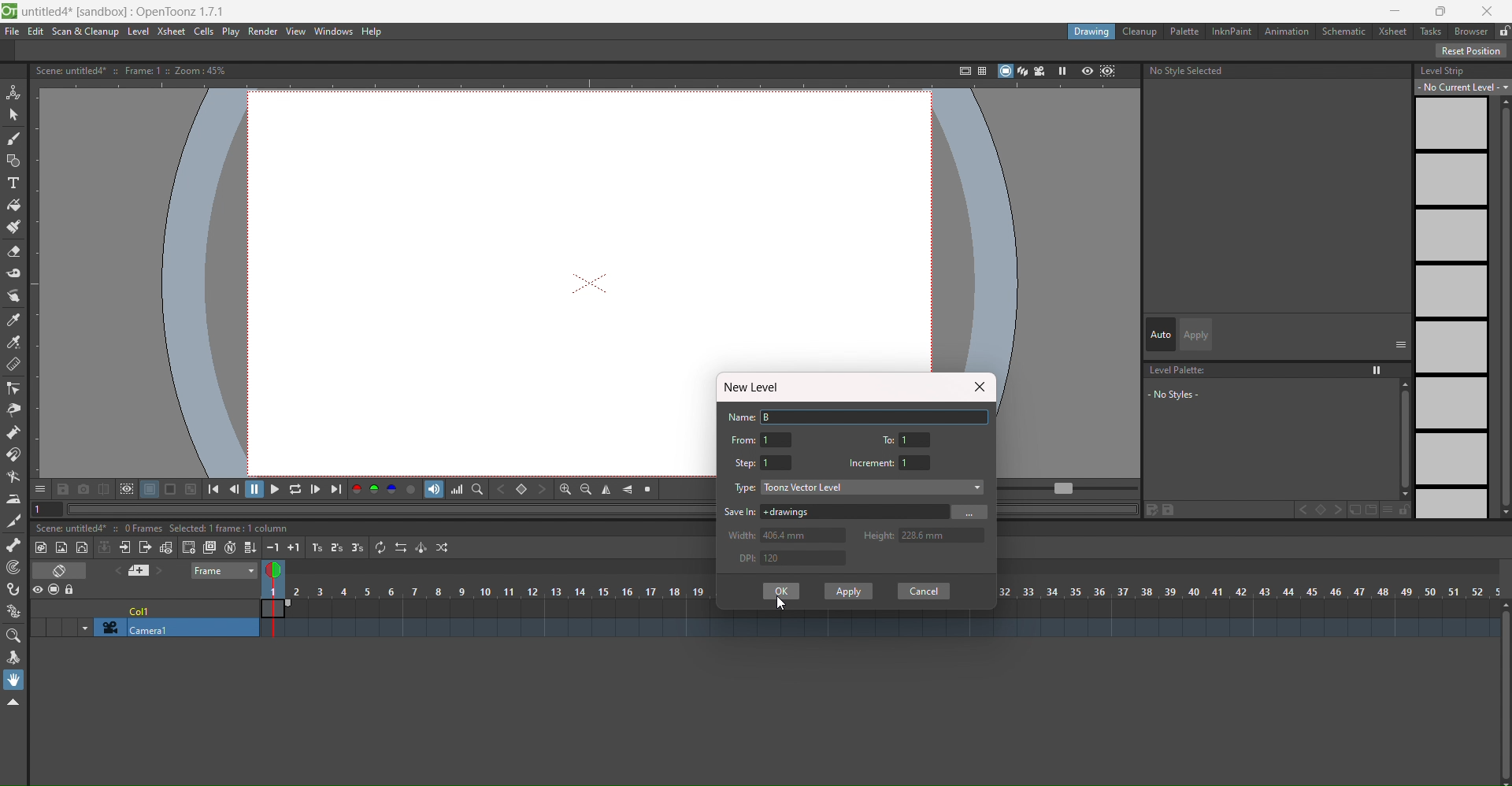  Describe the element at coordinates (56, 588) in the screenshot. I see `` at that location.